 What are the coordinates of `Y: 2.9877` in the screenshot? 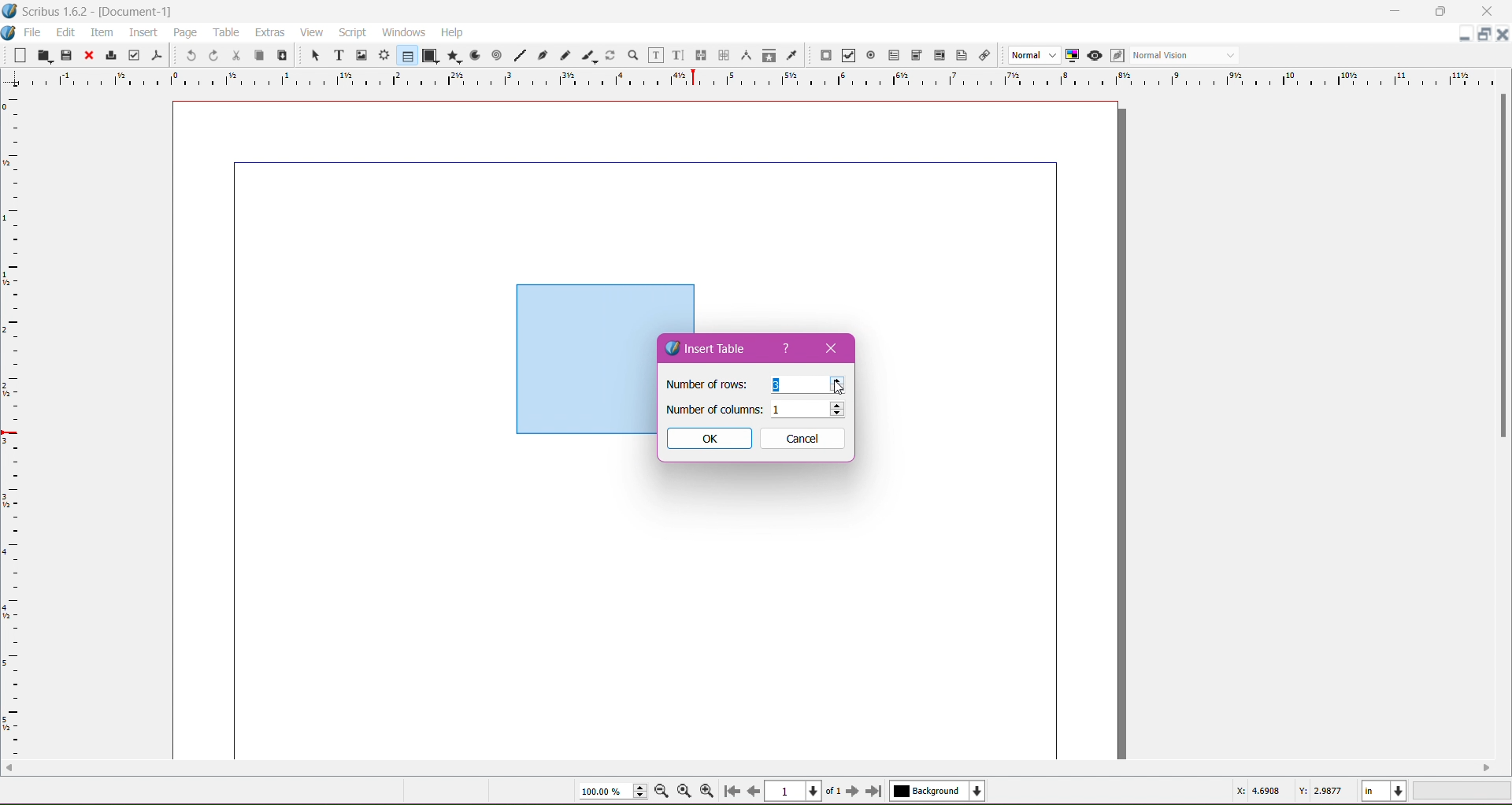 It's located at (1317, 791).